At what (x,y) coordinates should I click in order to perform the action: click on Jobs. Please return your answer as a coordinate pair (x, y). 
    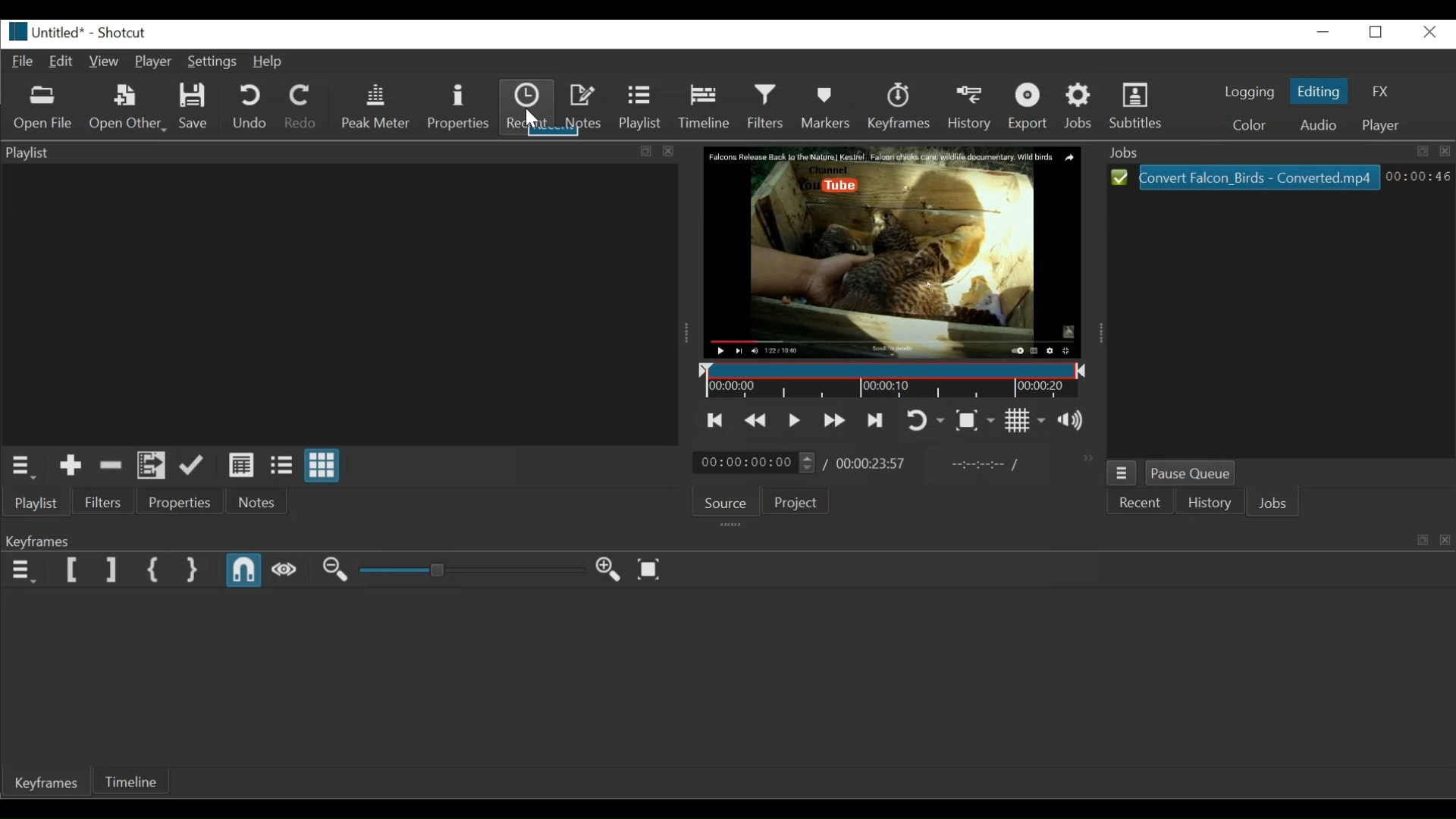
    Looking at the image, I should click on (1272, 501).